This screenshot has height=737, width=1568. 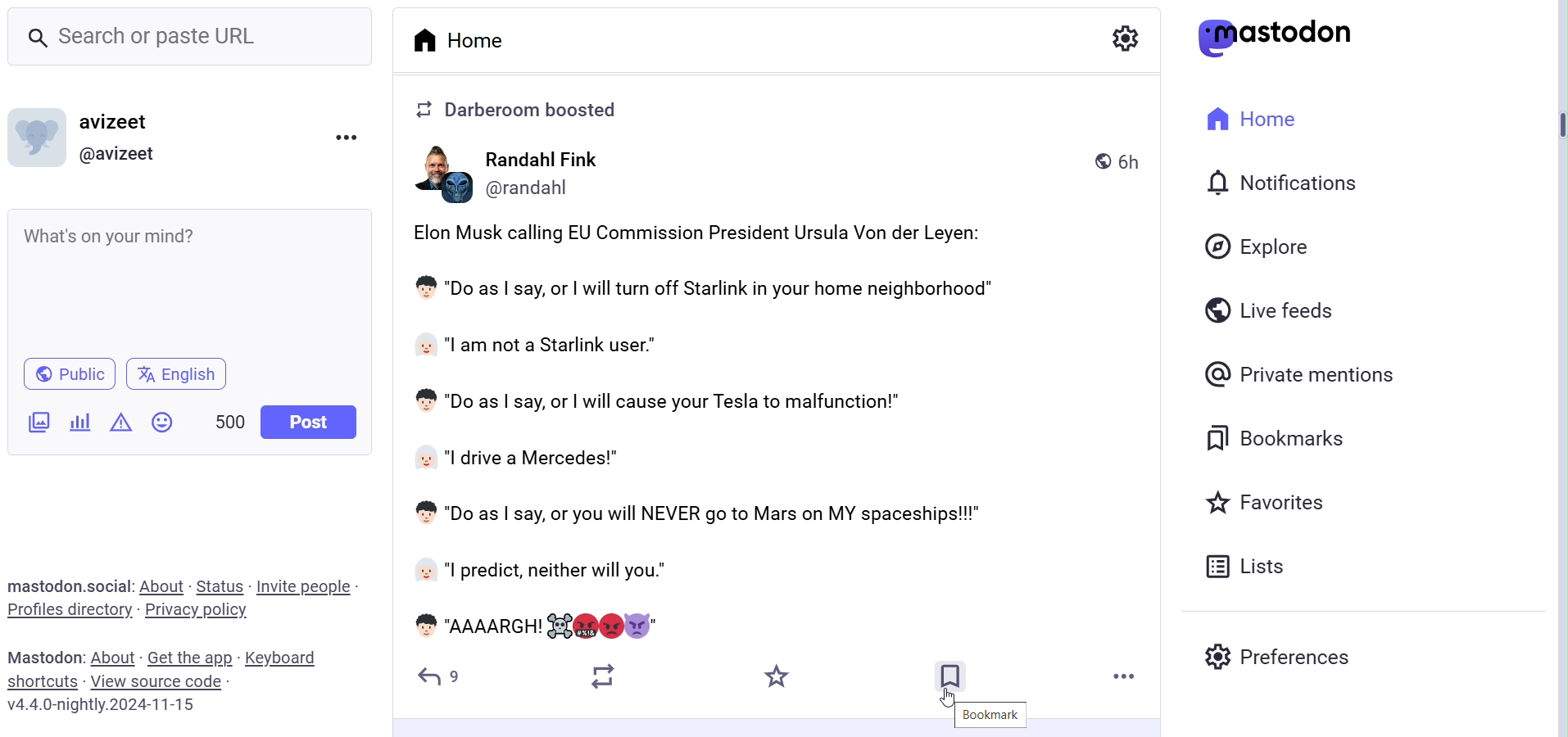 I want to click on Reply, so click(x=441, y=677).